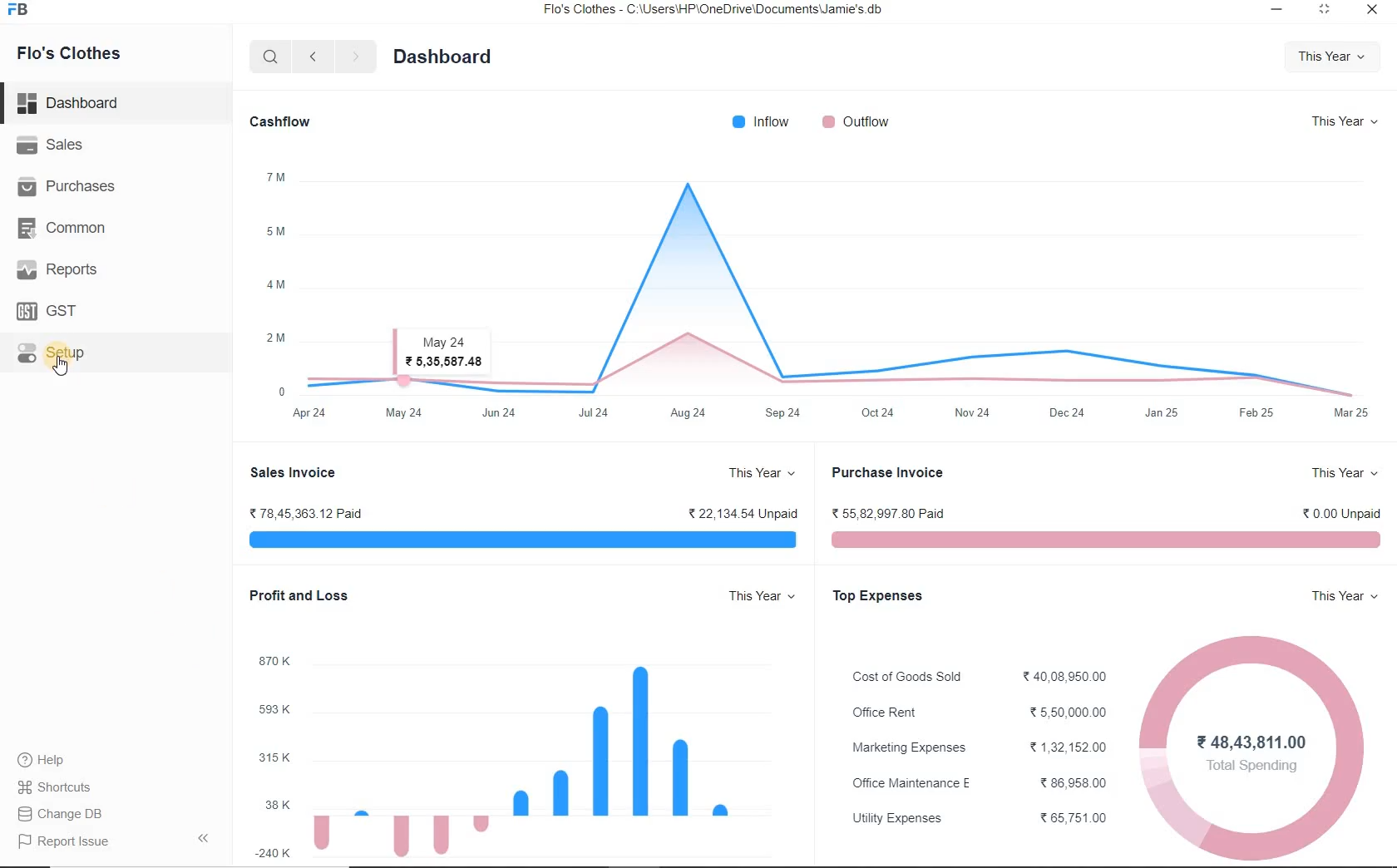  What do you see at coordinates (72, 101) in the screenshot?
I see `Dashboard` at bounding box center [72, 101].